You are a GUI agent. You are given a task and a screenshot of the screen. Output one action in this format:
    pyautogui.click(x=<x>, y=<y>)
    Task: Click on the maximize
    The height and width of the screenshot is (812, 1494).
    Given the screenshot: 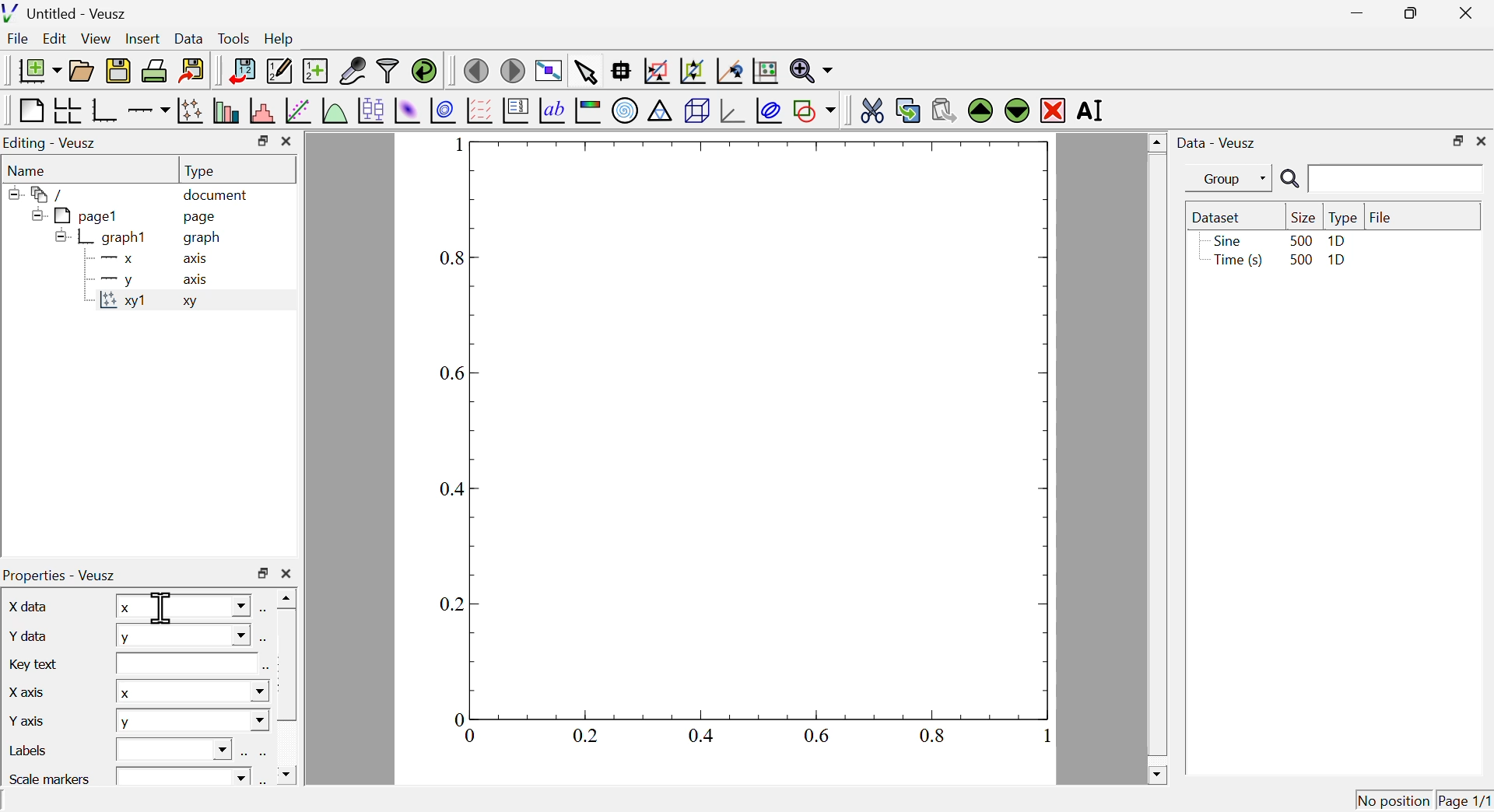 What is the action you would take?
    pyautogui.click(x=262, y=574)
    